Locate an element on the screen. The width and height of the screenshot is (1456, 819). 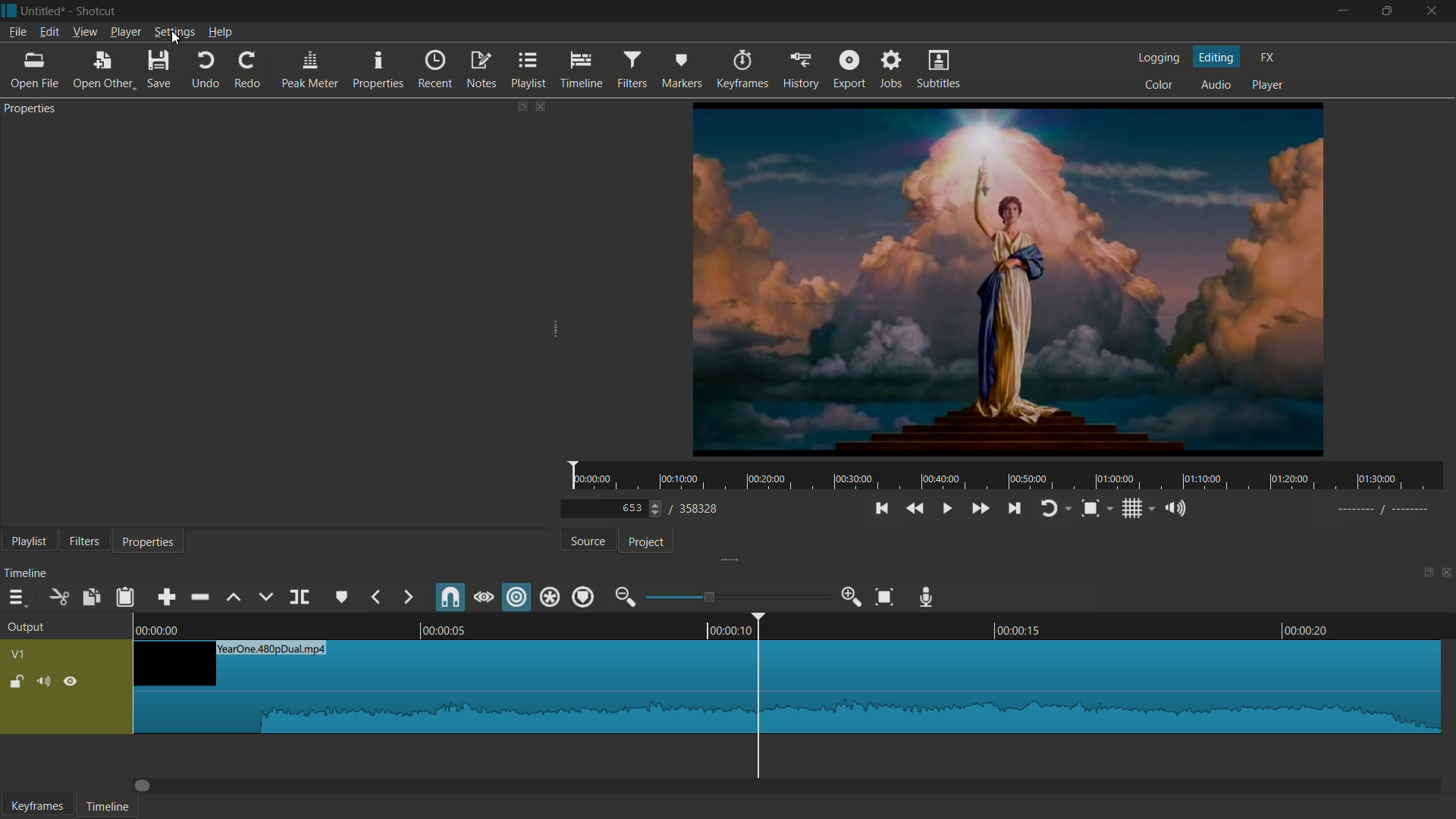
previous marker is located at coordinates (376, 598).